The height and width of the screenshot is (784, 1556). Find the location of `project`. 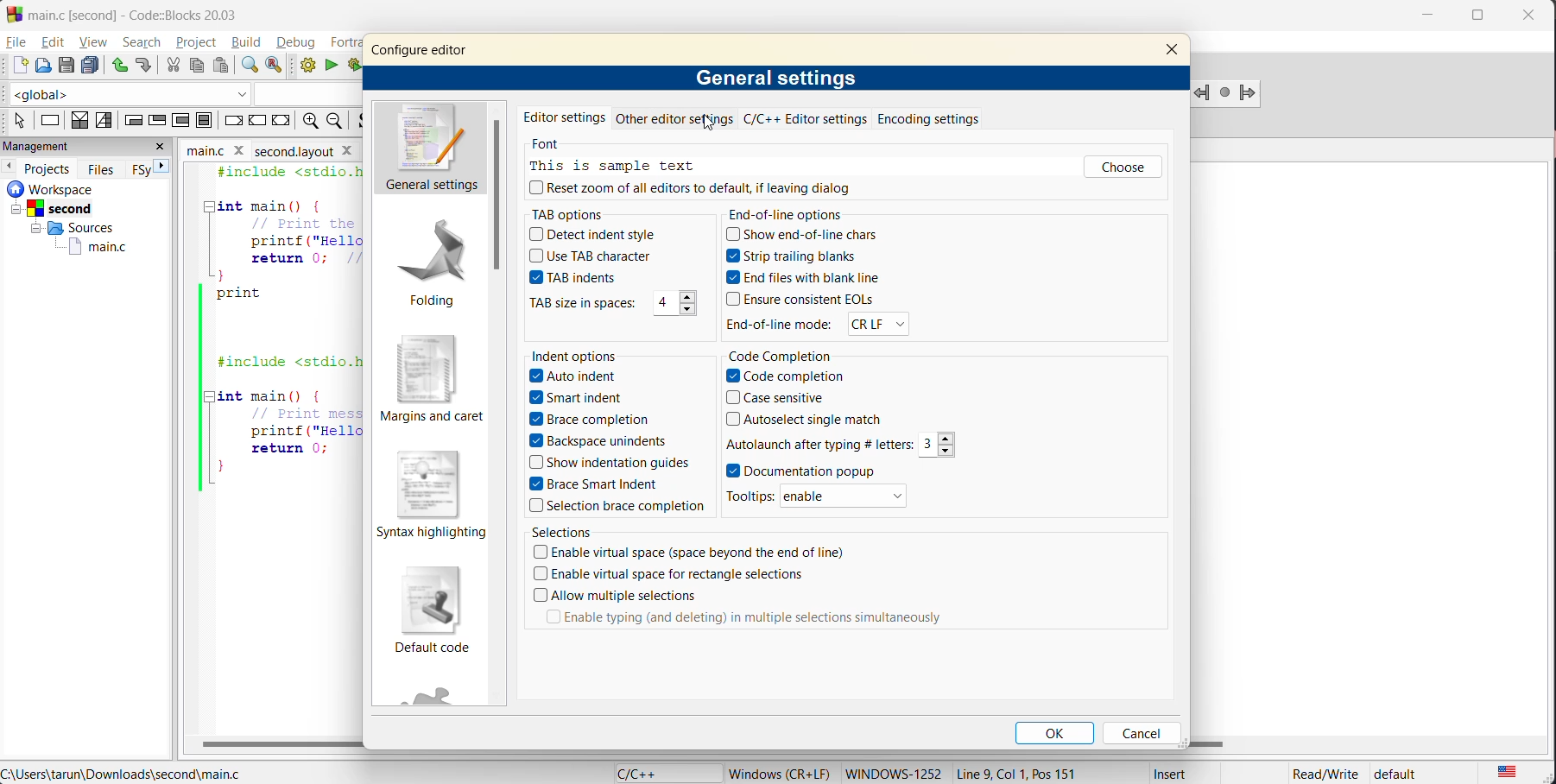

project is located at coordinates (196, 43).